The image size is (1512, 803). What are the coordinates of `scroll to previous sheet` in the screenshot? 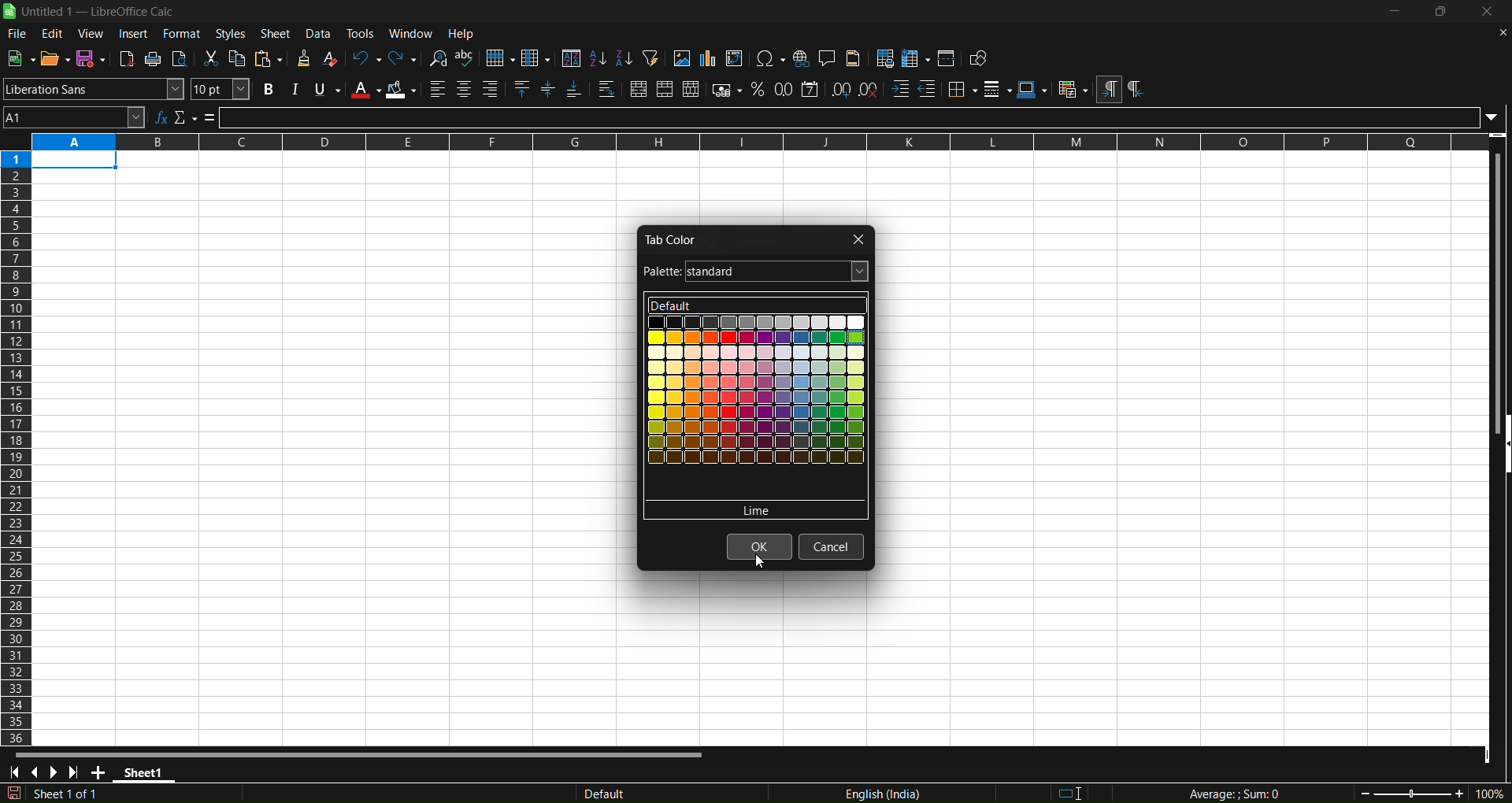 It's located at (38, 774).